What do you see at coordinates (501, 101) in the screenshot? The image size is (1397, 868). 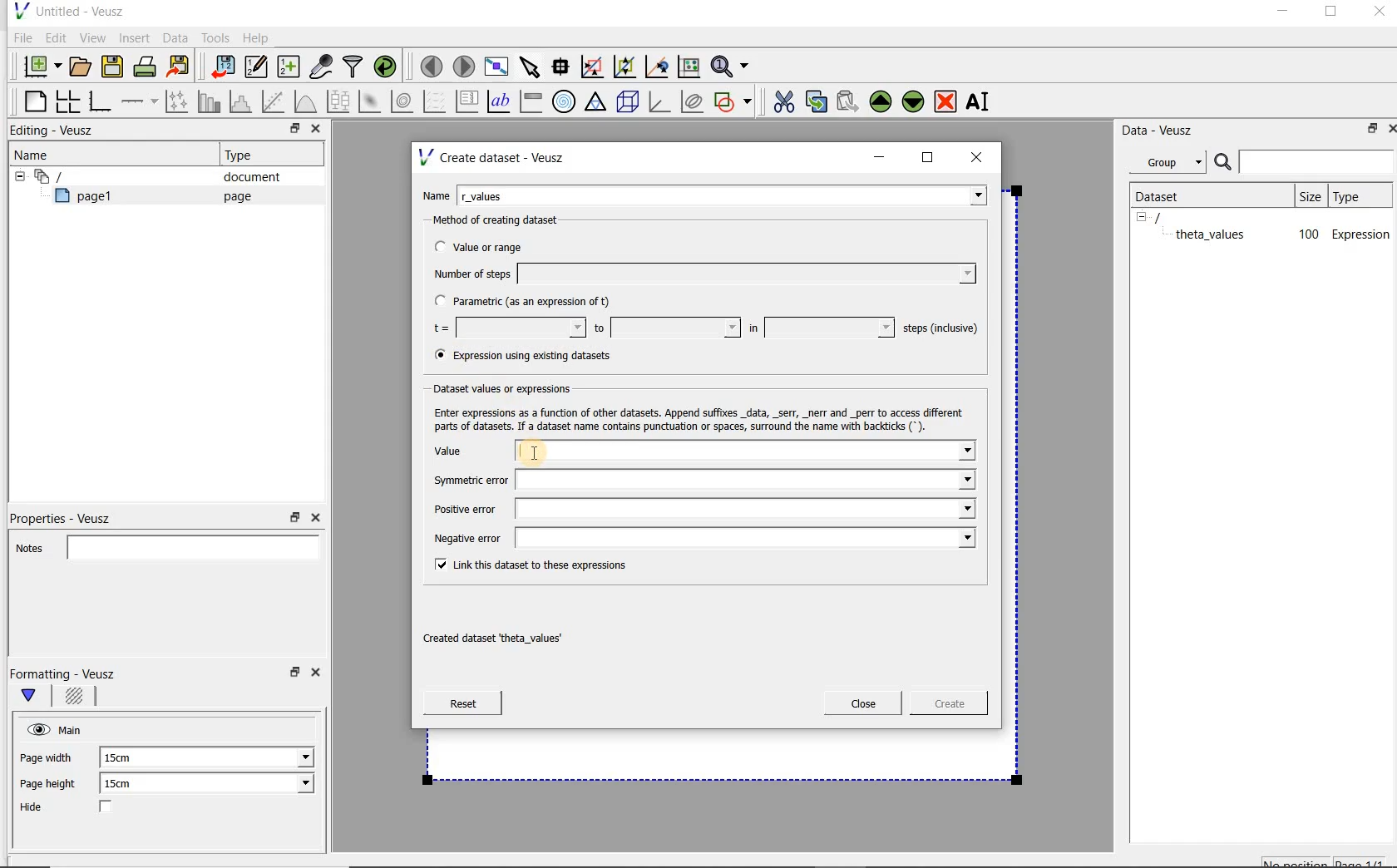 I see `text label` at bounding box center [501, 101].